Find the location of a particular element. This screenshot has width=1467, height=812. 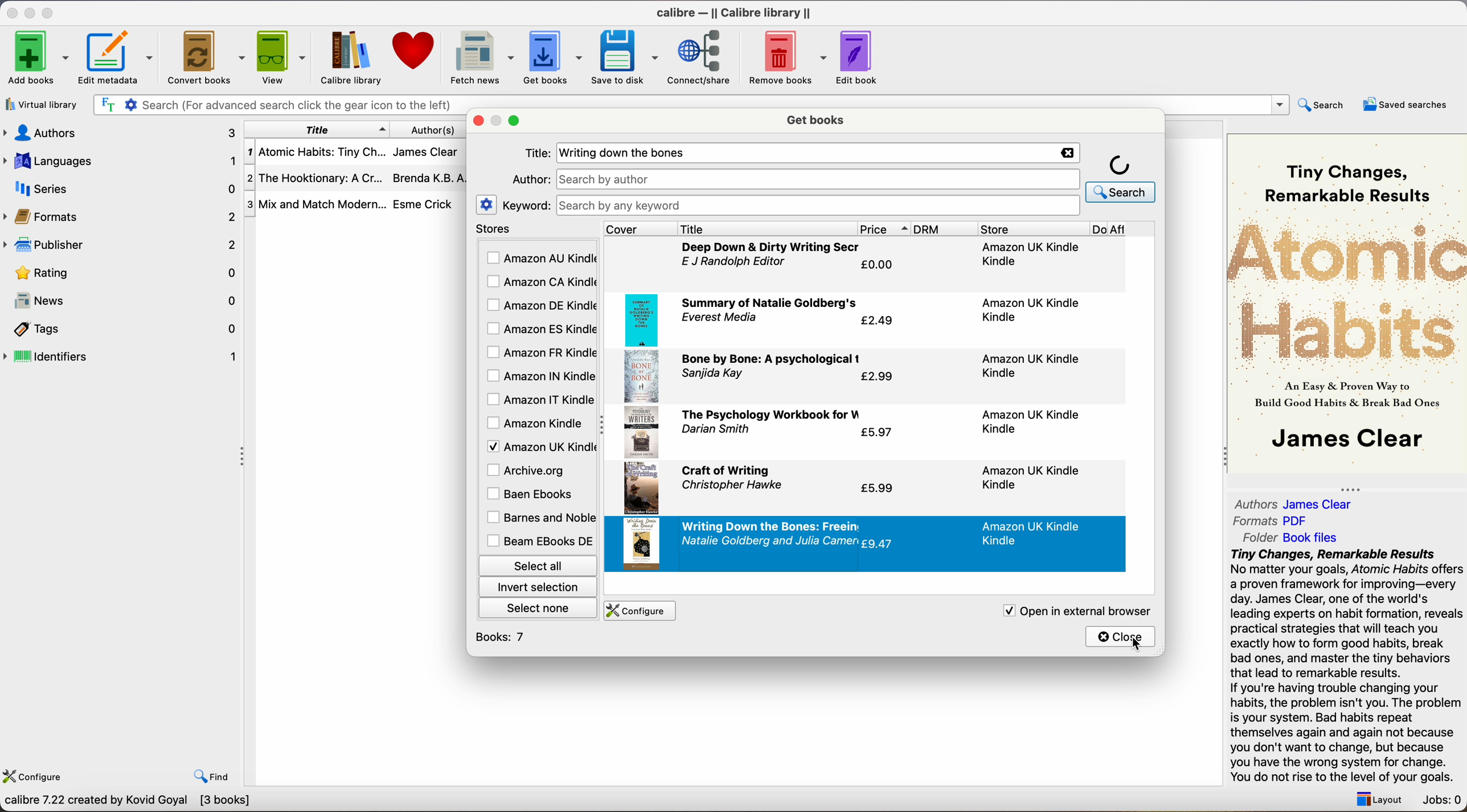

tags is located at coordinates (123, 330).